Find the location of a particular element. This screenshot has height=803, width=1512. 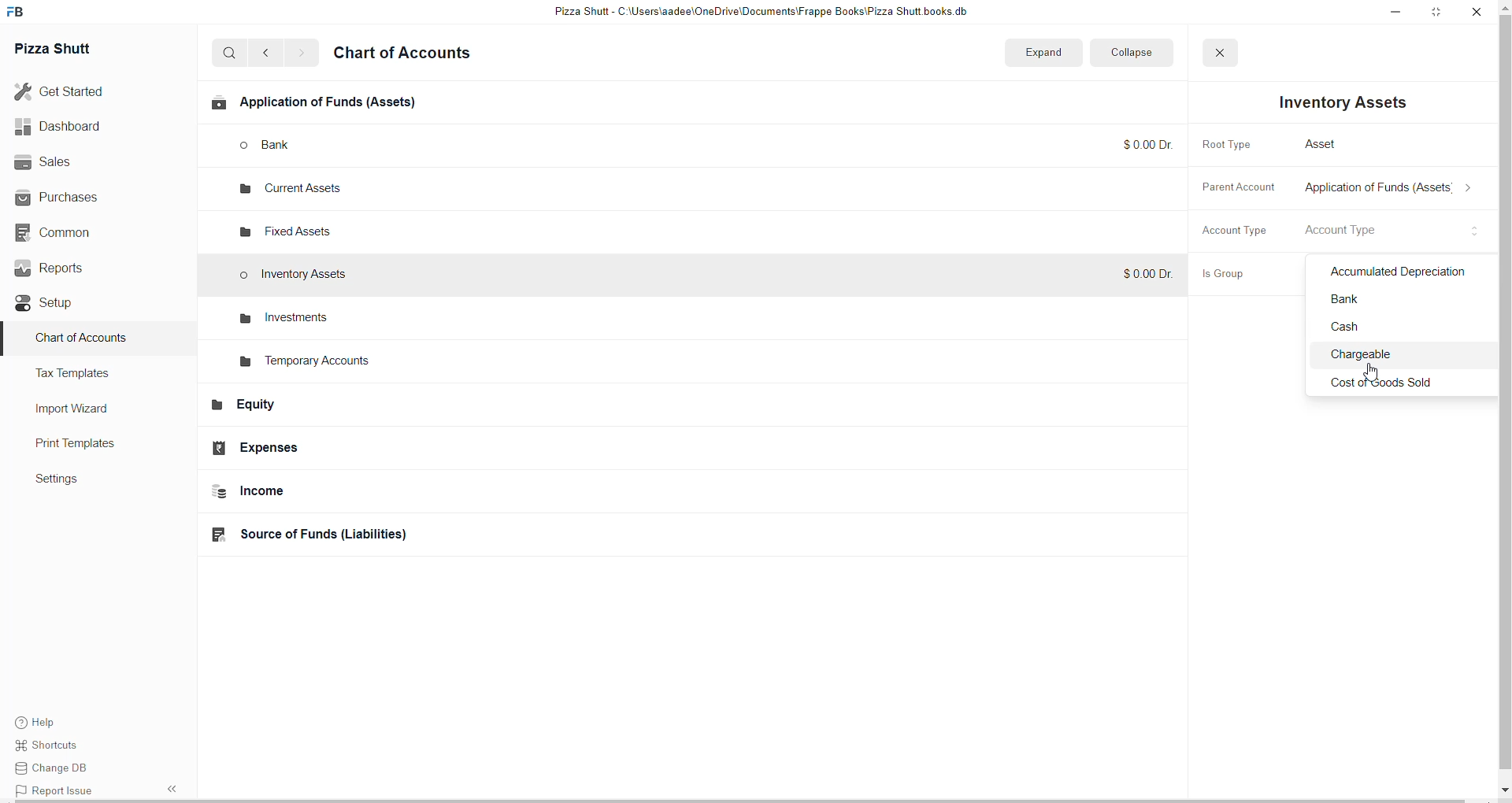

Applications of funds(Assets) is located at coordinates (321, 105).